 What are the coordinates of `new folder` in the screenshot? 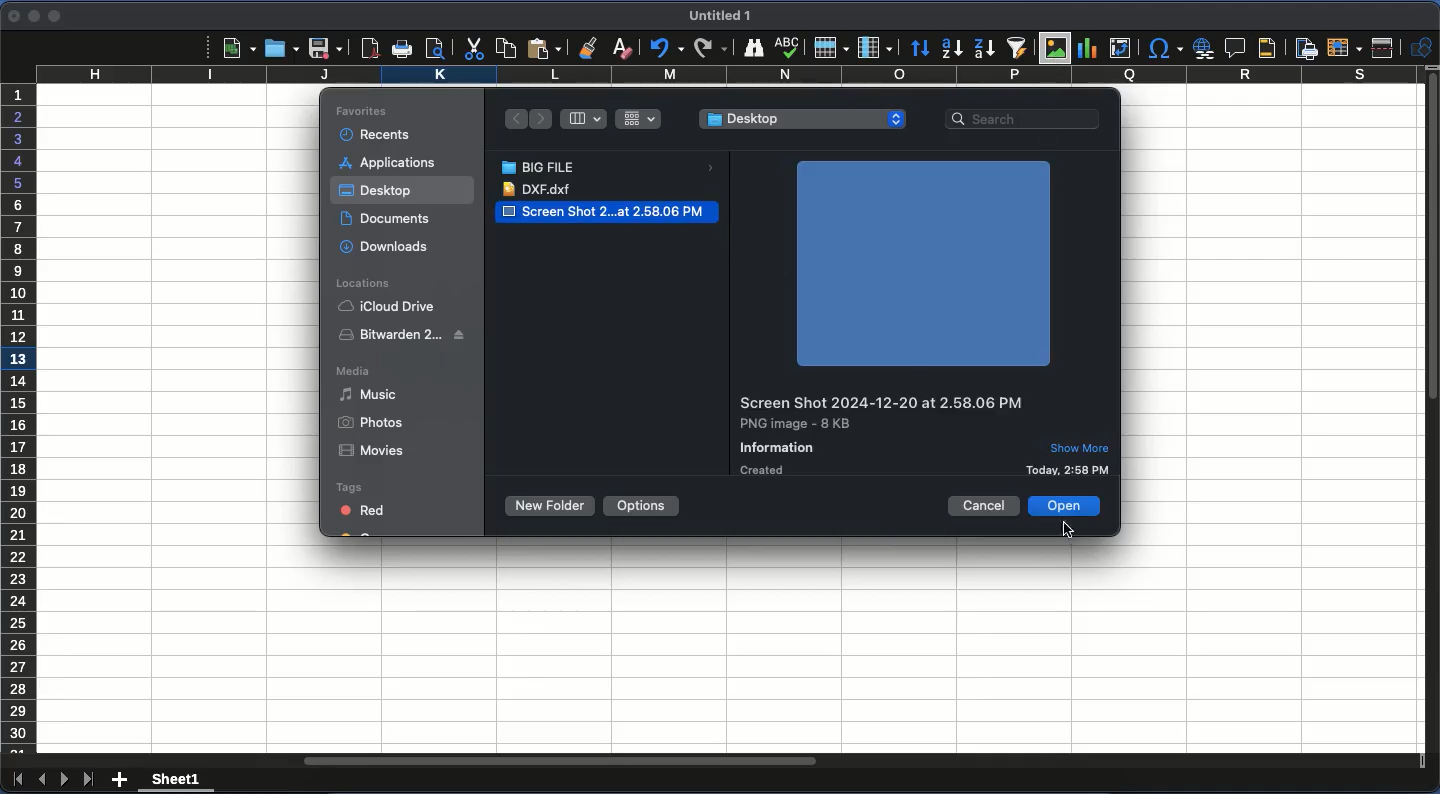 It's located at (553, 506).